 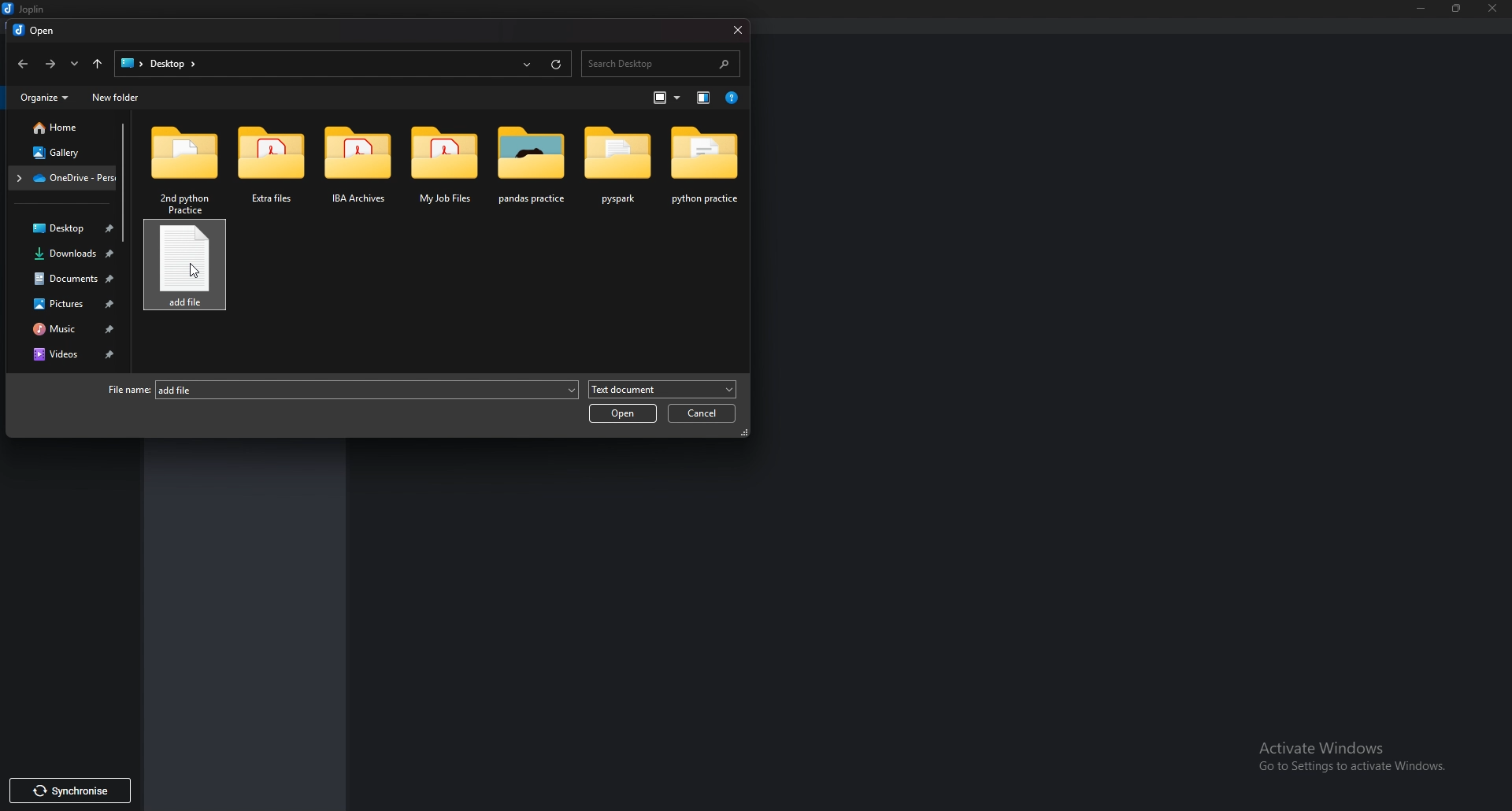 What do you see at coordinates (28, 9) in the screenshot?
I see `Joplin` at bounding box center [28, 9].